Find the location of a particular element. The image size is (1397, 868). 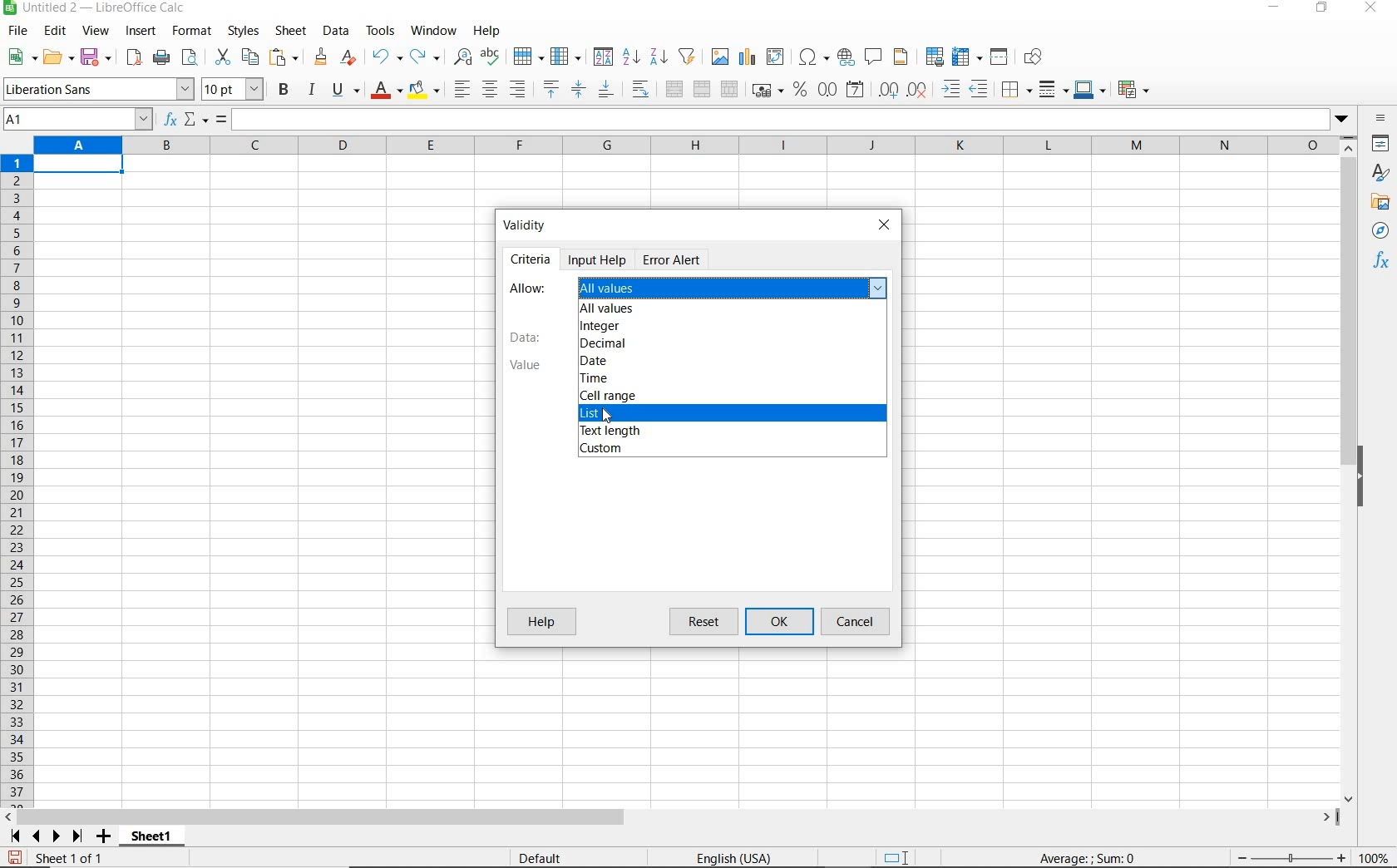

borders is located at coordinates (1017, 90).